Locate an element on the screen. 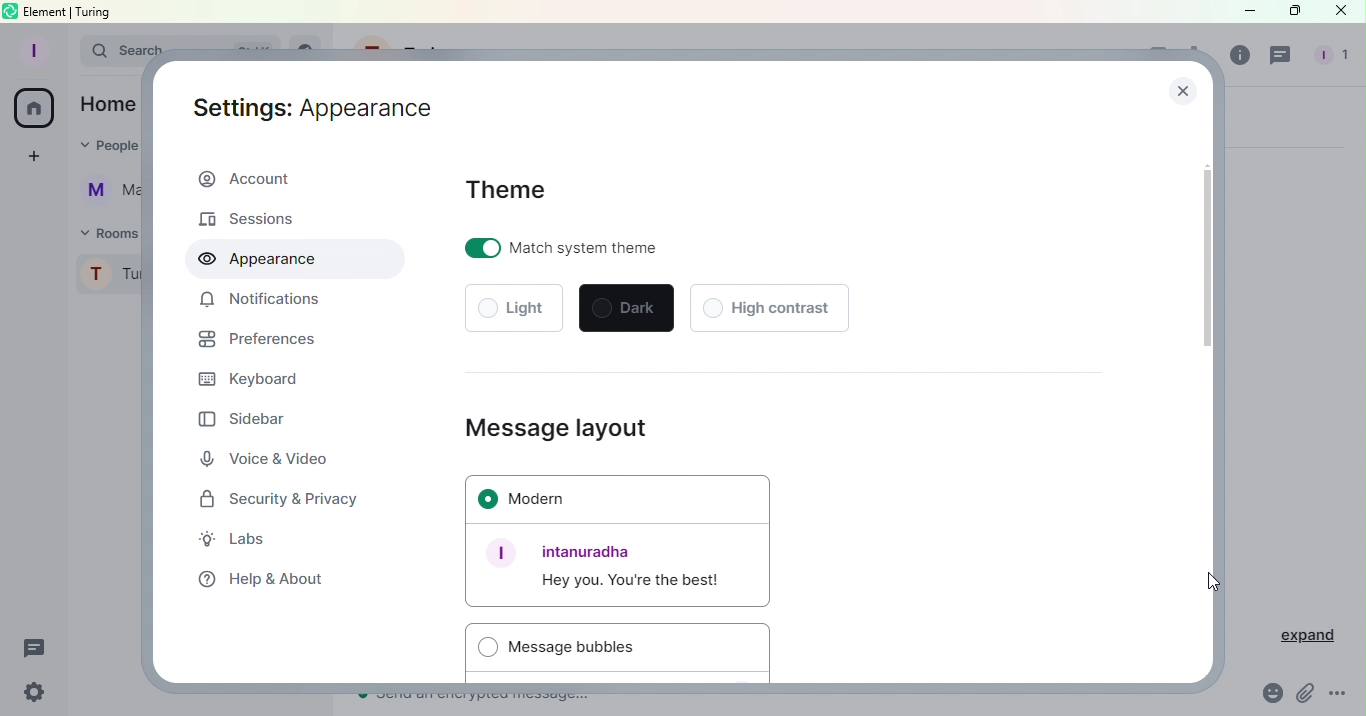 This screenshot has height=716, width=1366. Settings is located at coordinates (35, 690).